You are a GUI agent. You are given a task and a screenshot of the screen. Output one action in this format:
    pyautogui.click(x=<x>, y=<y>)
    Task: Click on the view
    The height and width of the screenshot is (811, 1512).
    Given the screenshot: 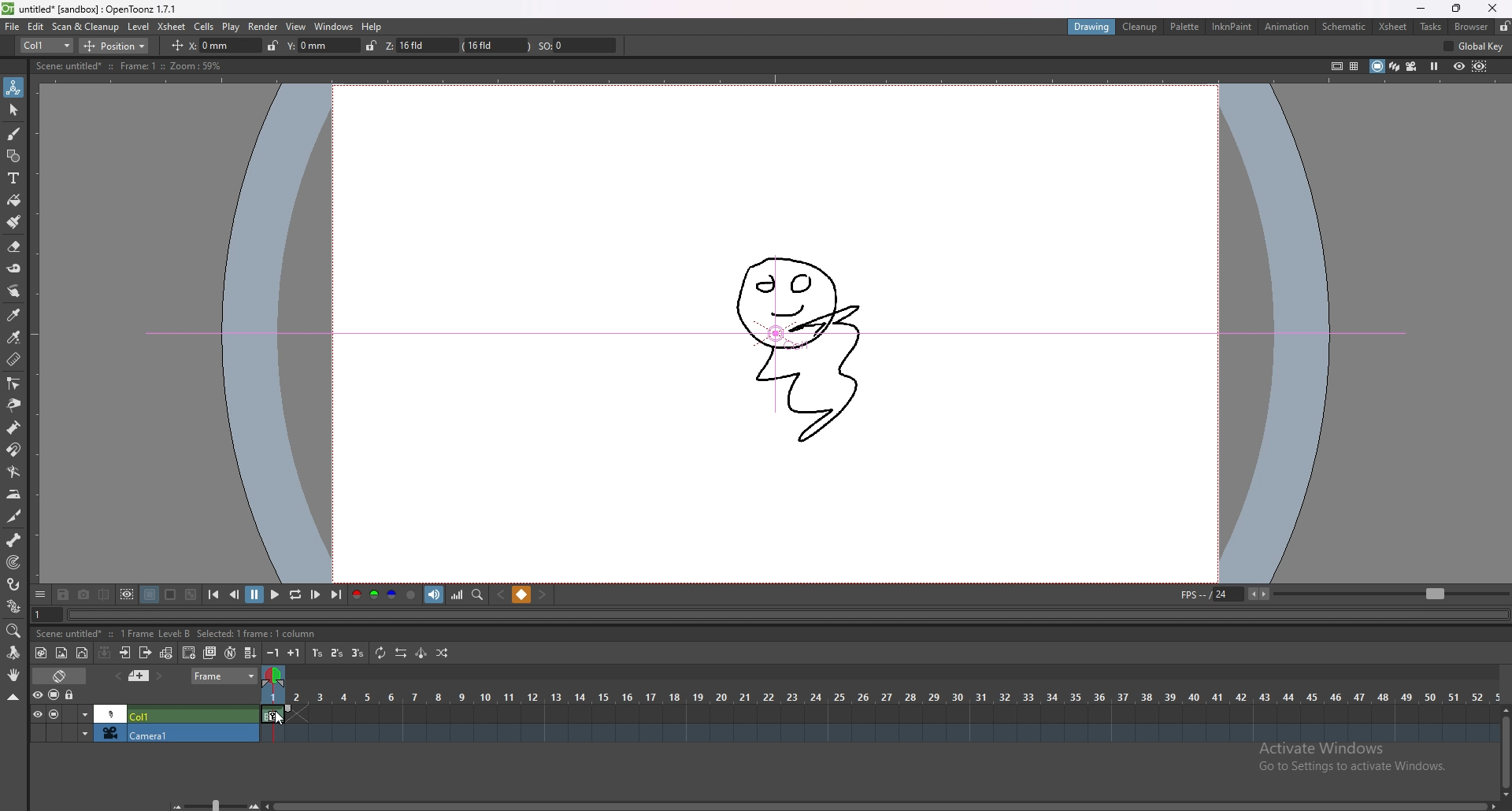 What is the action you would take?
    pyautogui.click(x=297, y=27)
    